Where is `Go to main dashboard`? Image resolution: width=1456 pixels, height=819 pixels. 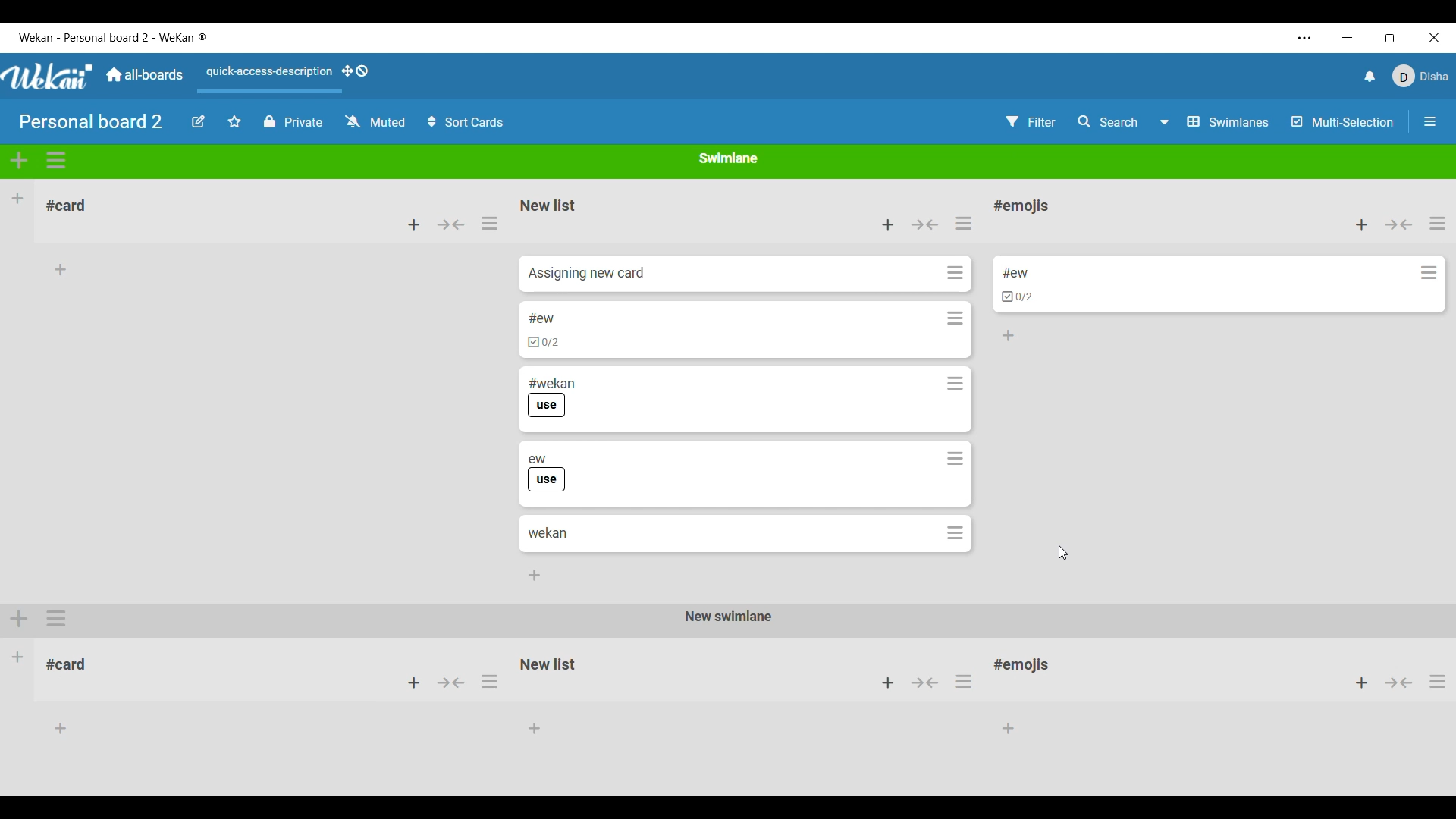
Go to main dashboard is located at coordinates (144, 75).